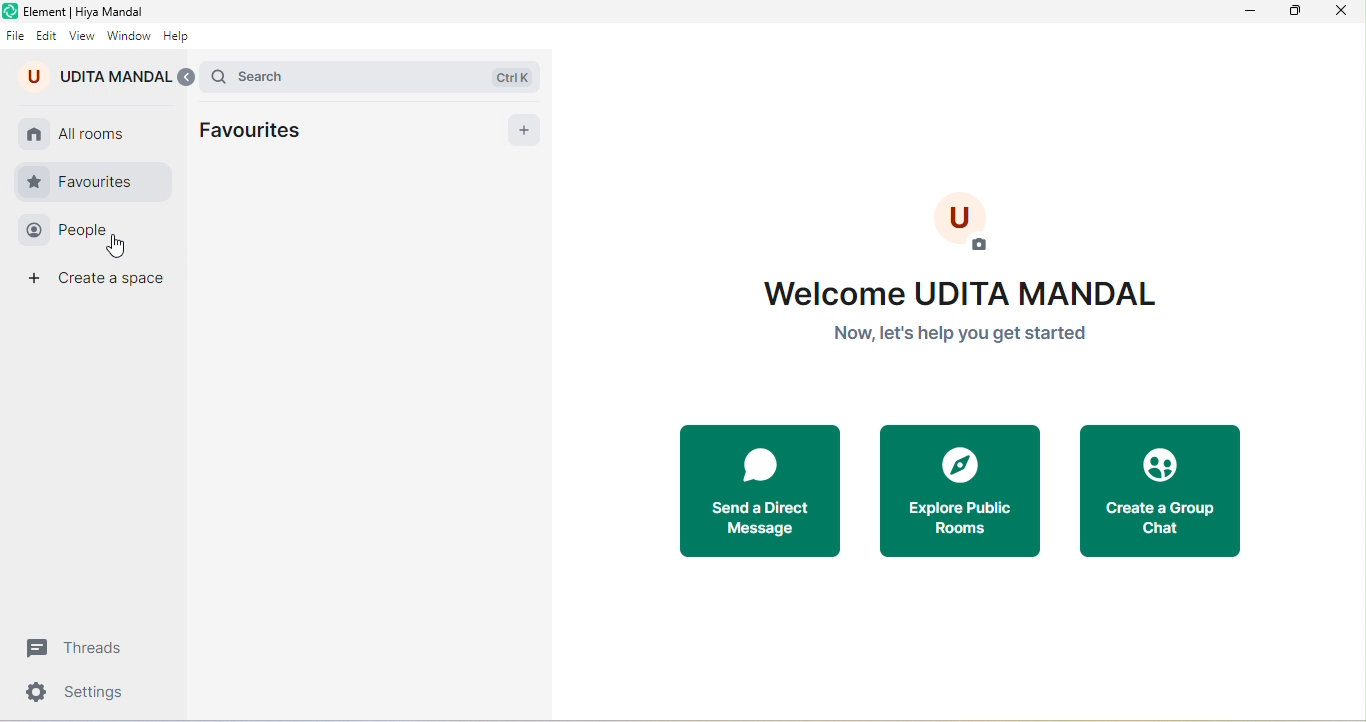 Image resolution: width=1366 pixels, height=722 pixels. I want to click on welcome Udit Mandal, so click(962, 295).